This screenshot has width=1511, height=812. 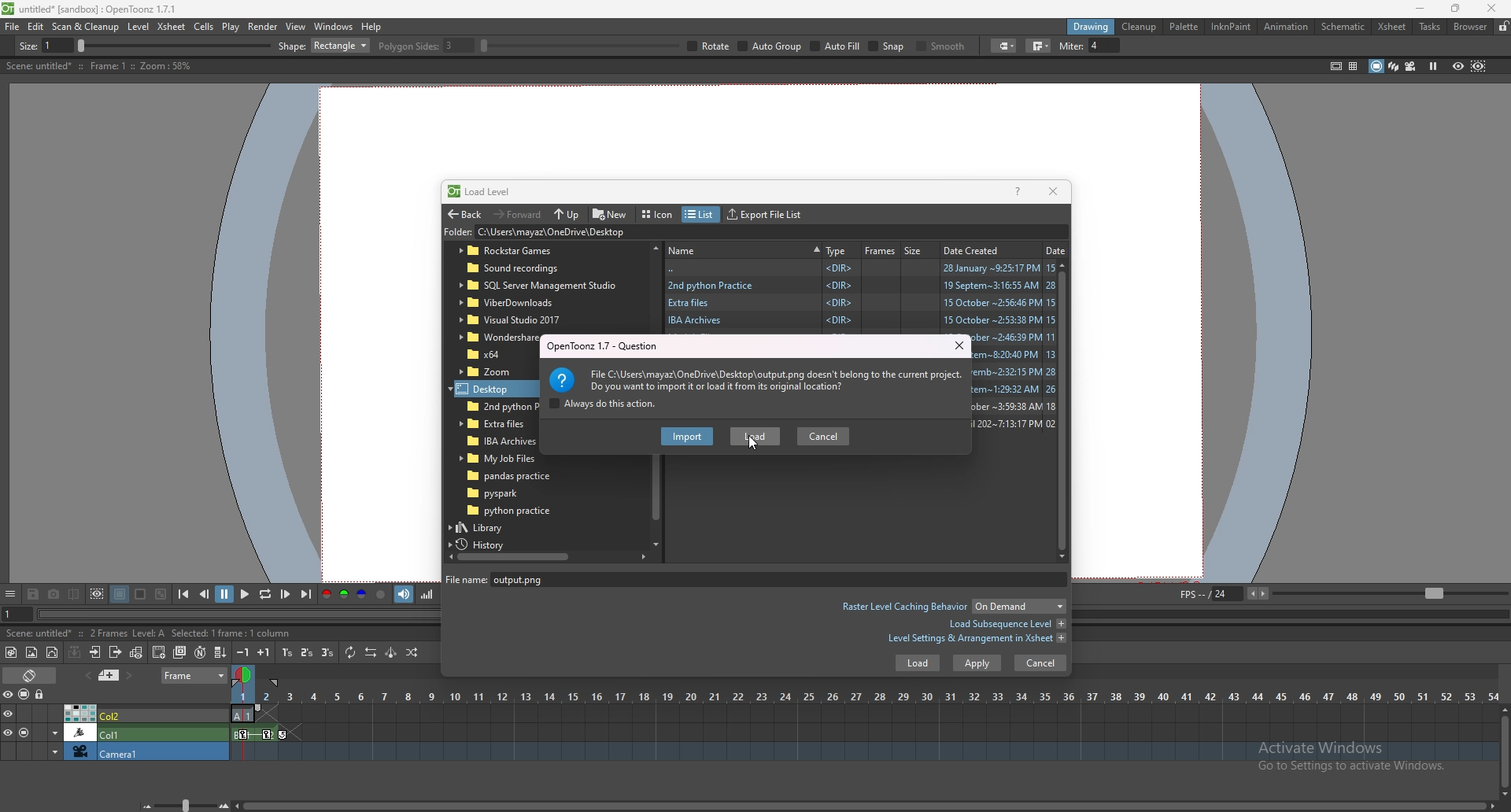 I want to click on apply, so click(x=977, y=663).